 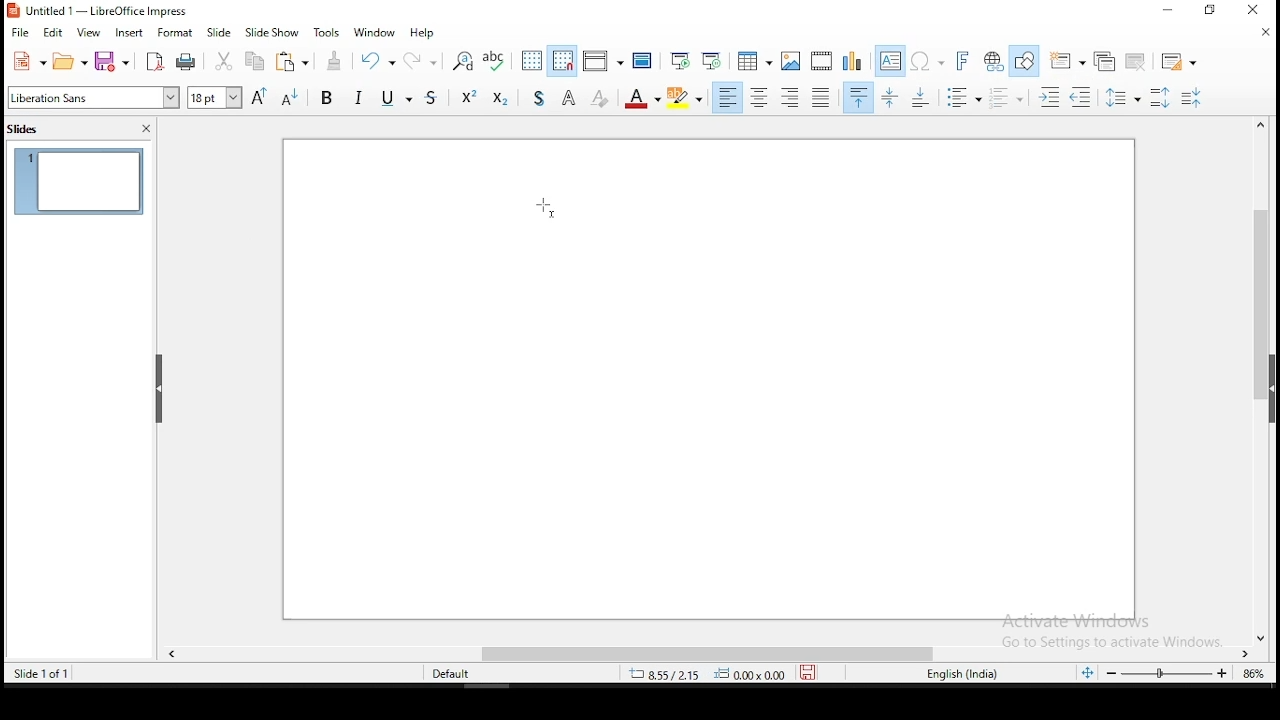 What do you see at coordinates (112, 60) in the screenshot?
I see `save` at bounding box center [112, 60].